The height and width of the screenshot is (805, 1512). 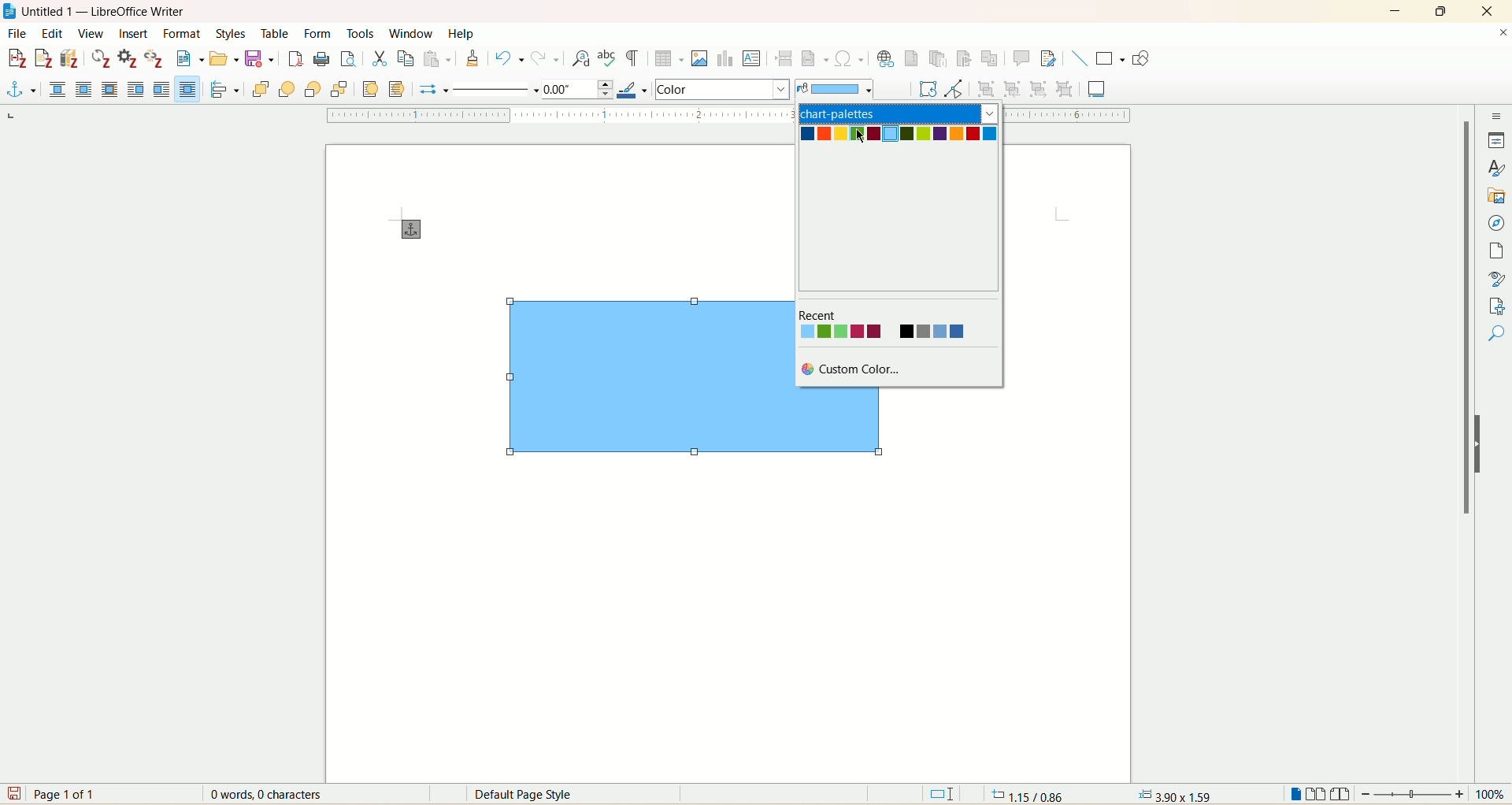 I want to click on insert, so click(x=134, y=35).